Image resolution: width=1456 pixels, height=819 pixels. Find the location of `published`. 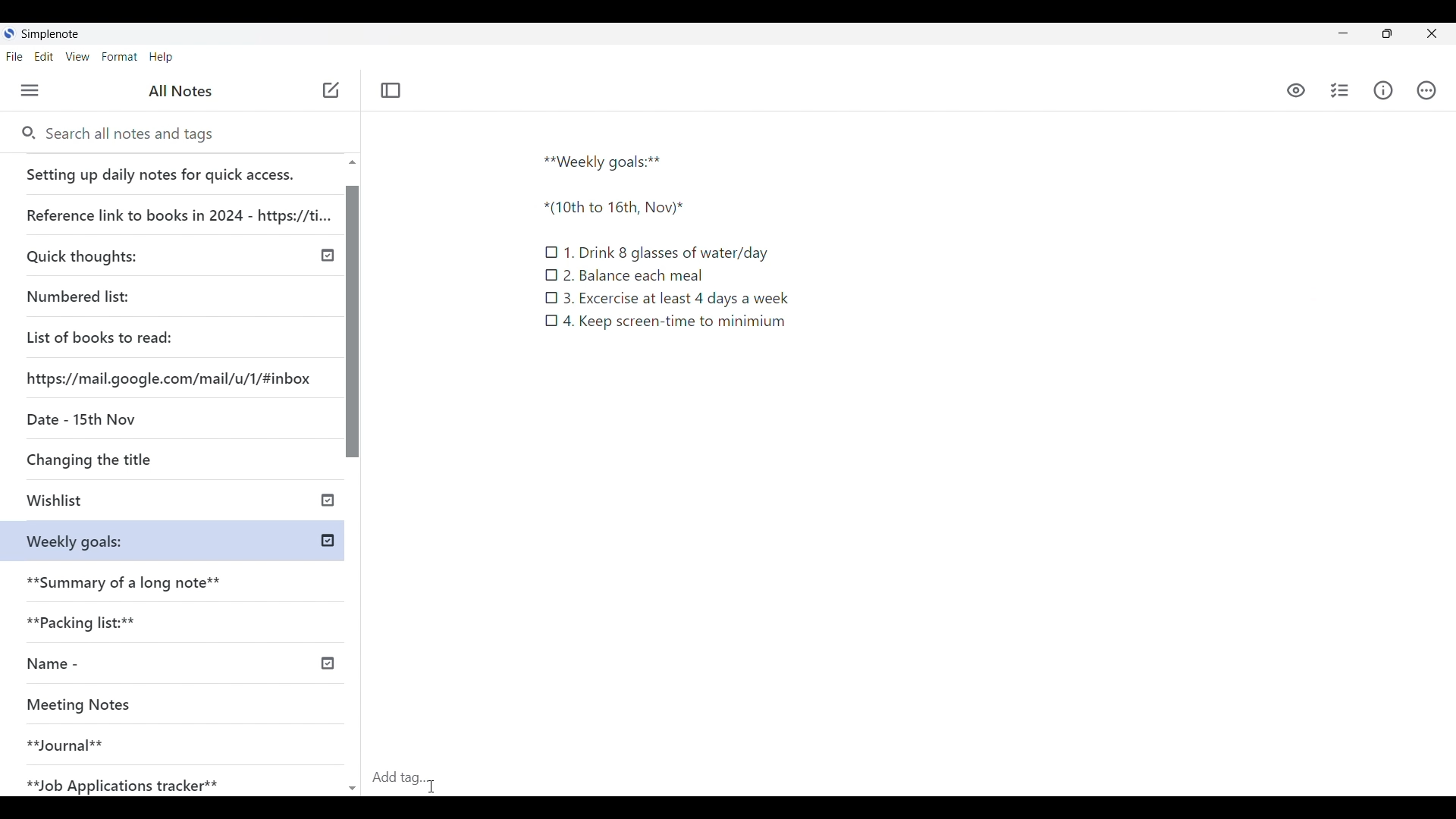

published is located at coordinates (326, 664).